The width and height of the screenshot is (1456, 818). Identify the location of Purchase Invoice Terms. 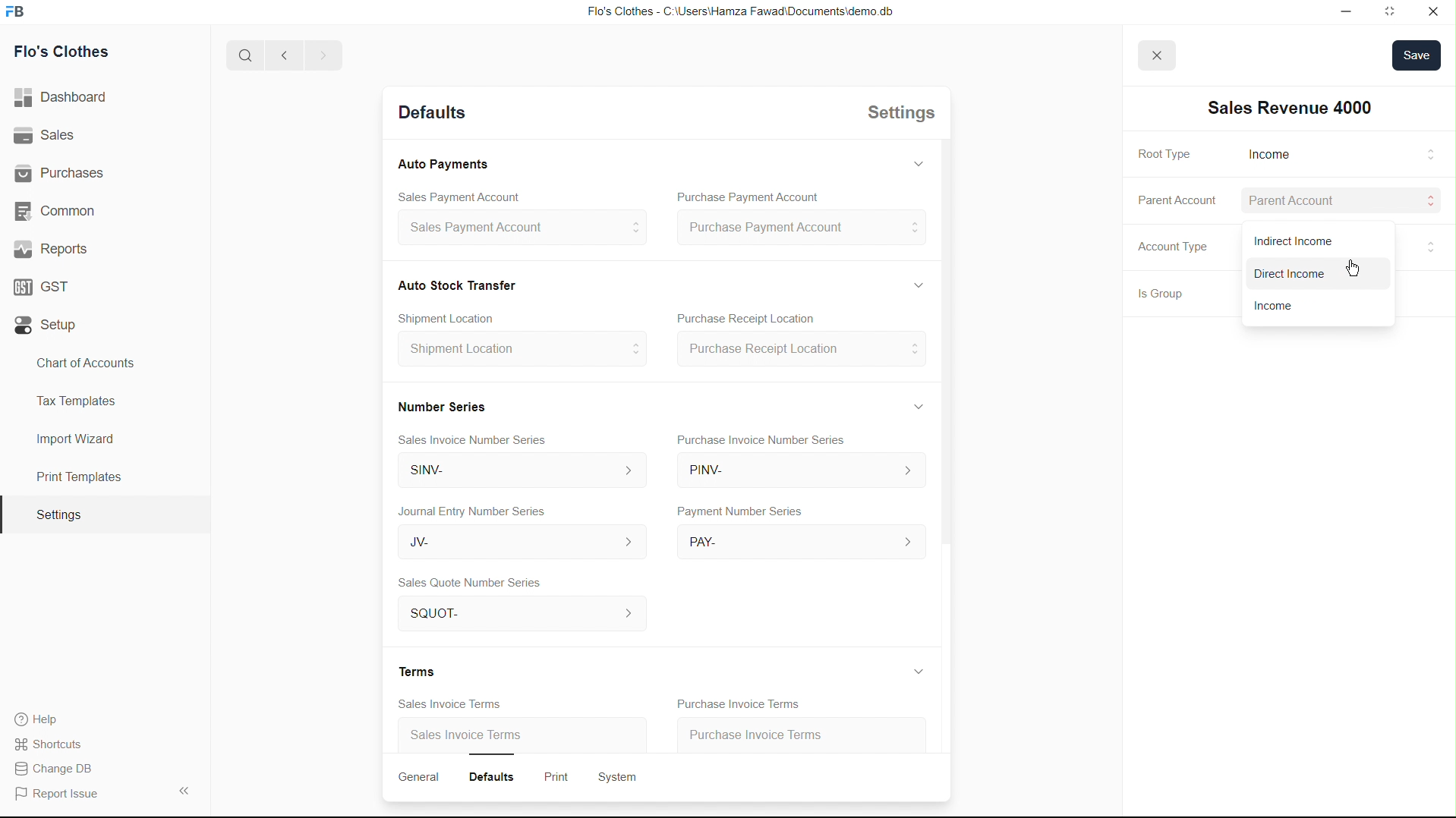
(735, 702).